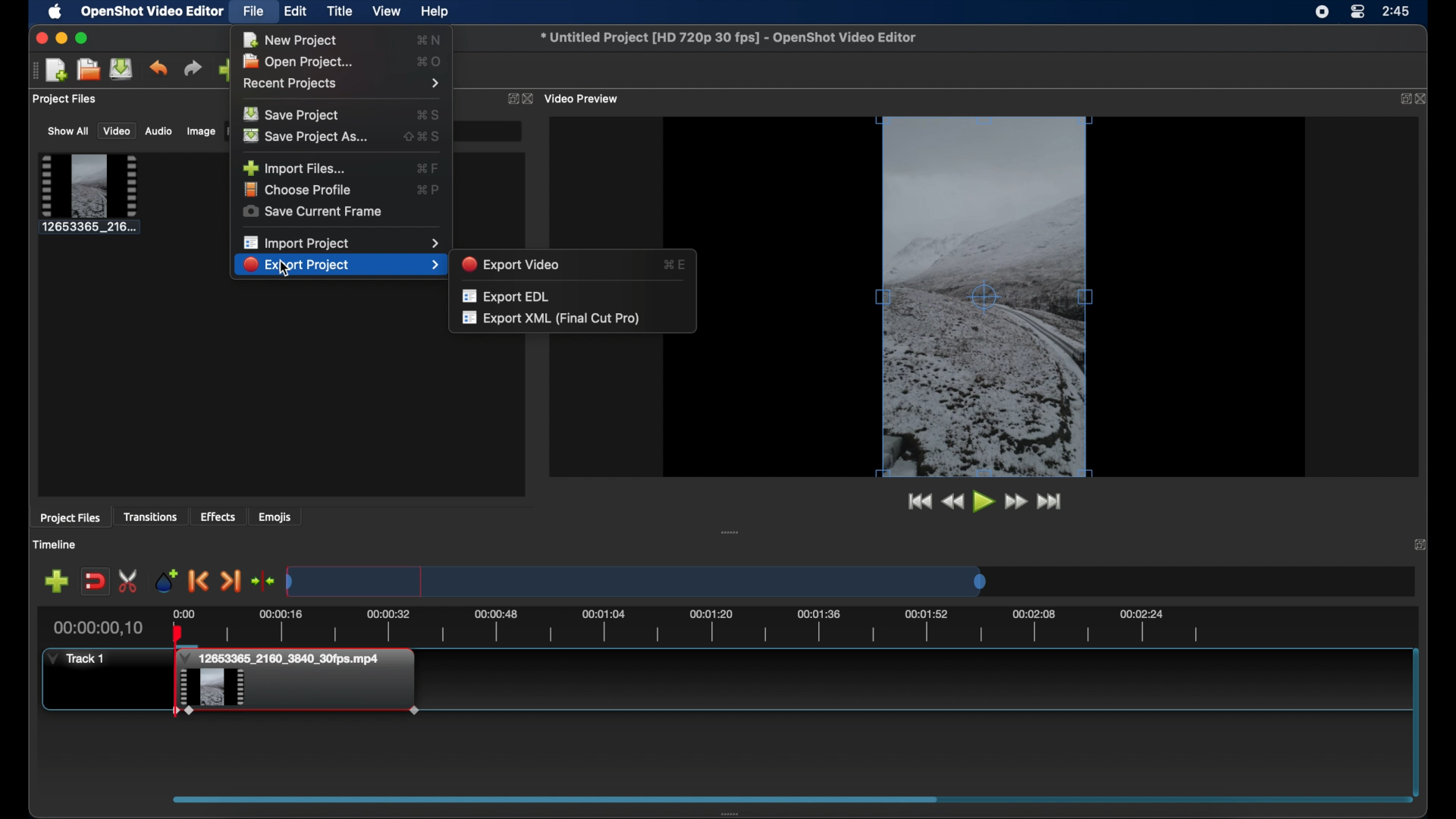  Describe the element at coordinates (276, 516) in the screenshot. I see `emojis` at that location.